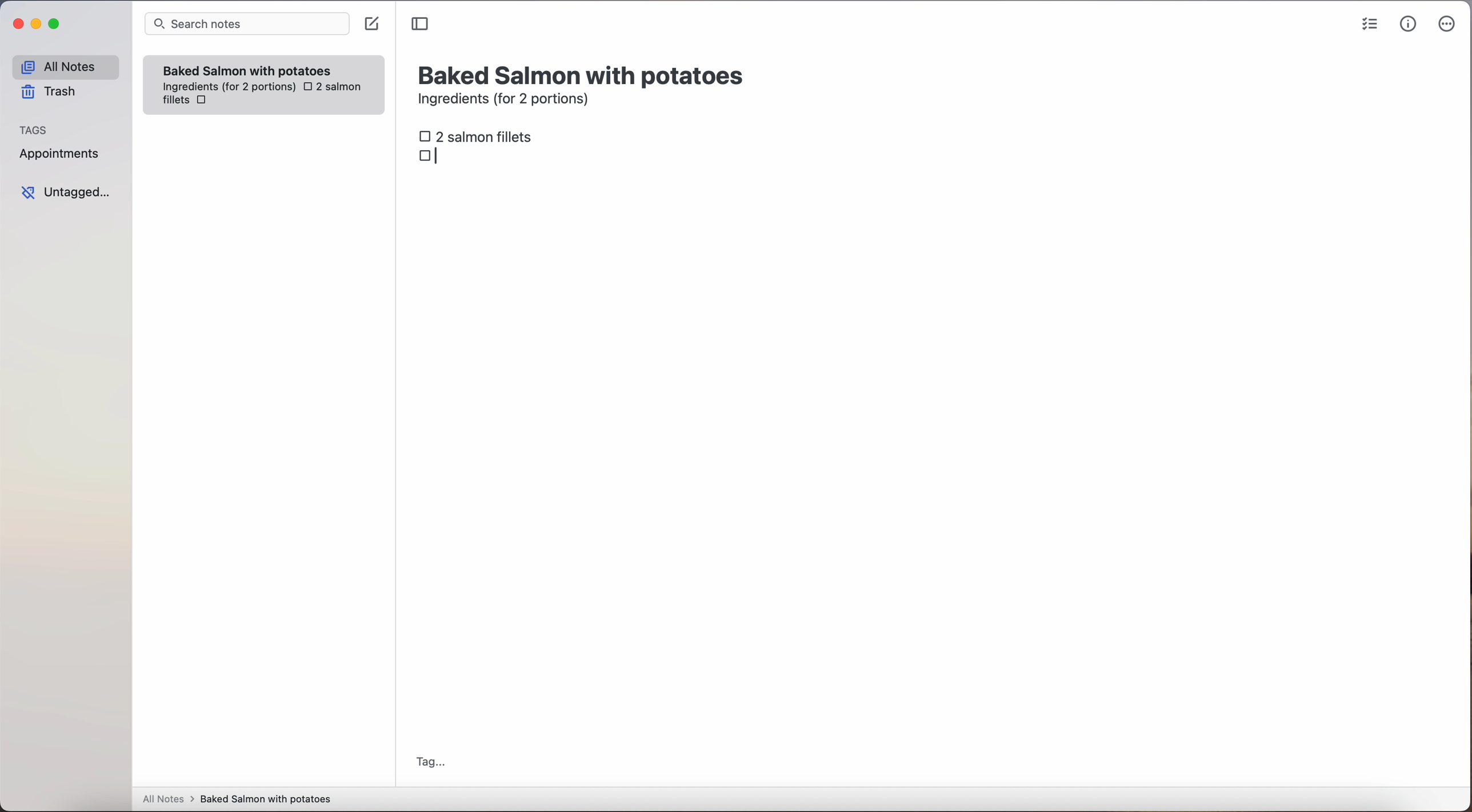  What do you see at coordinates (331, 87) in the screenshot?
I see `2 salmon` at bounding box center [331, 87].